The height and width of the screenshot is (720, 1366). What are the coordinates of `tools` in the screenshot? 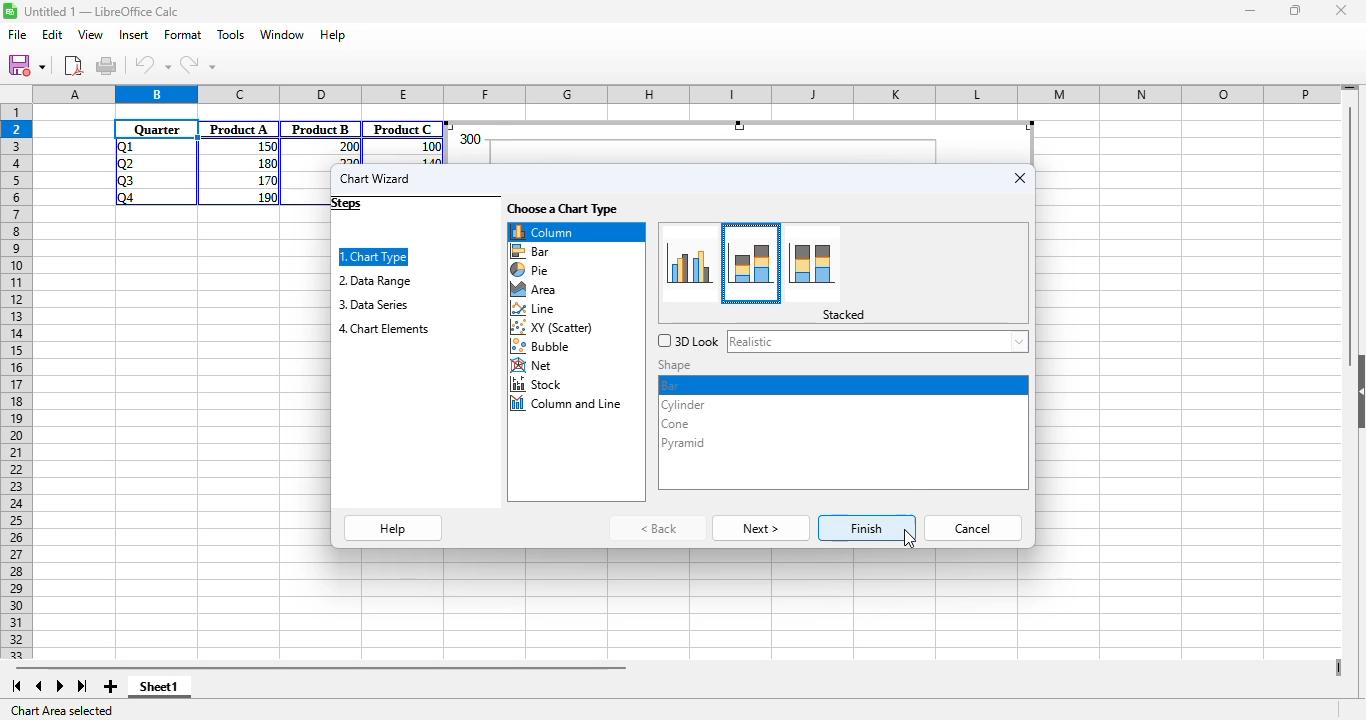 It's located at (231, 34).